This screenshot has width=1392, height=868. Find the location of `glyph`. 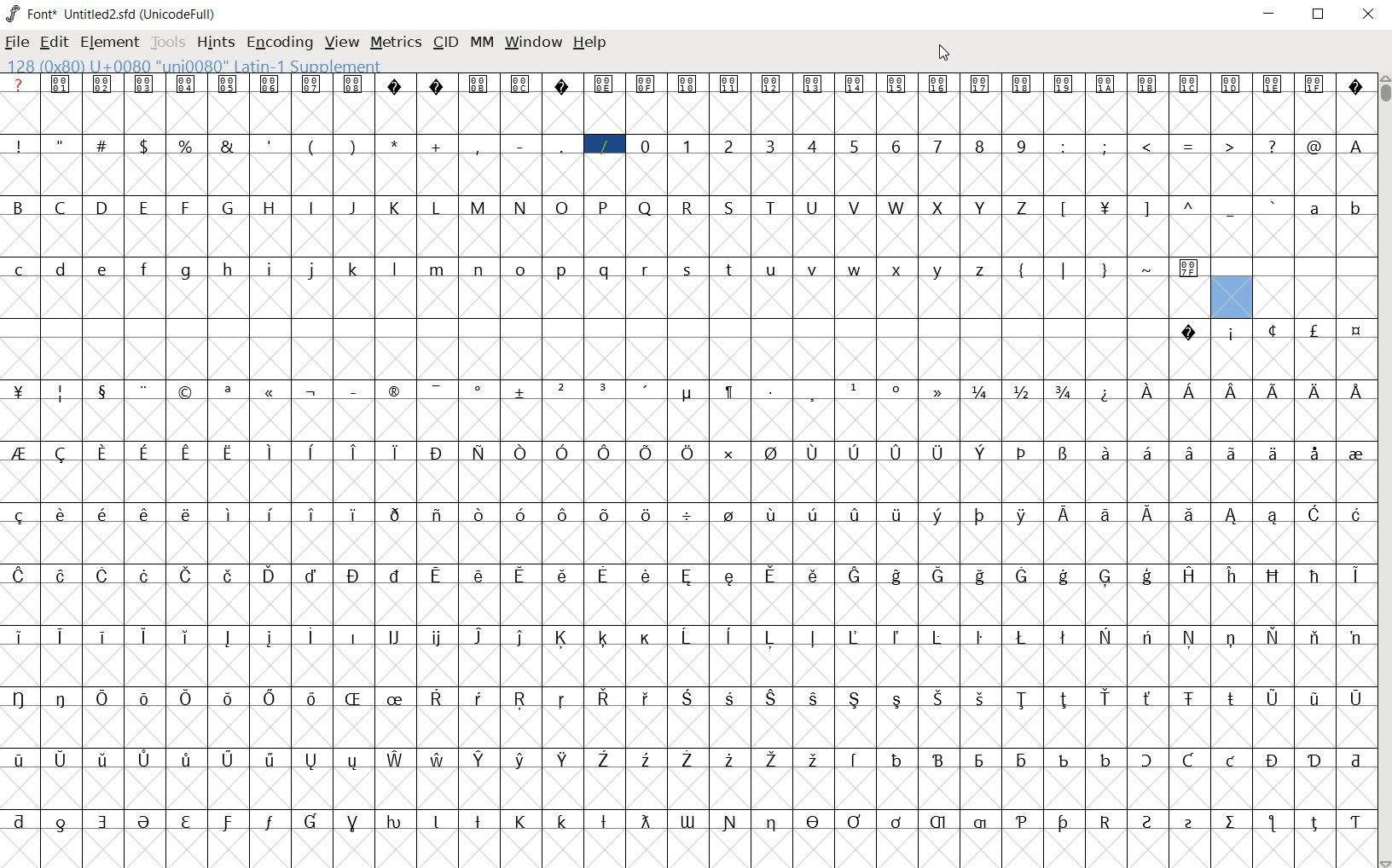

glyph is located at coordinates (645, 821).